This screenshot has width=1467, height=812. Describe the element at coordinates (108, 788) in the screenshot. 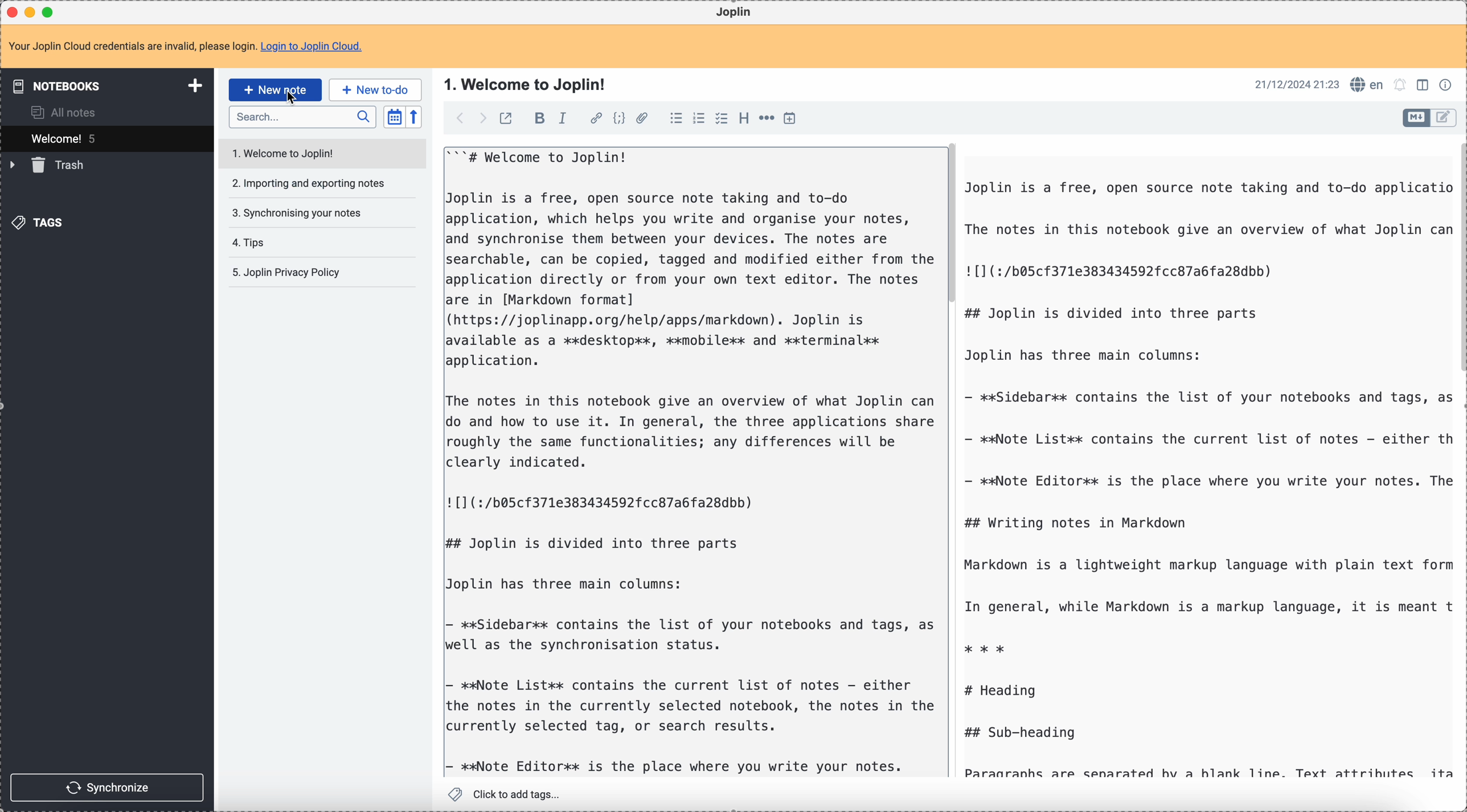

I see `synchronize` at that location.